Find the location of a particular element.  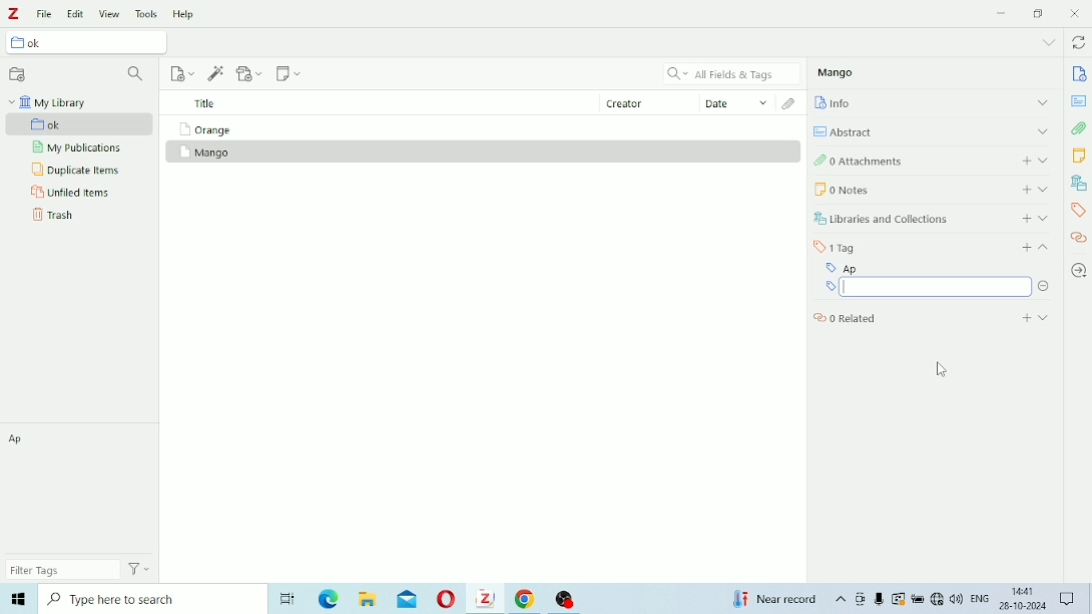

Info is located at coordinates (933, 101).